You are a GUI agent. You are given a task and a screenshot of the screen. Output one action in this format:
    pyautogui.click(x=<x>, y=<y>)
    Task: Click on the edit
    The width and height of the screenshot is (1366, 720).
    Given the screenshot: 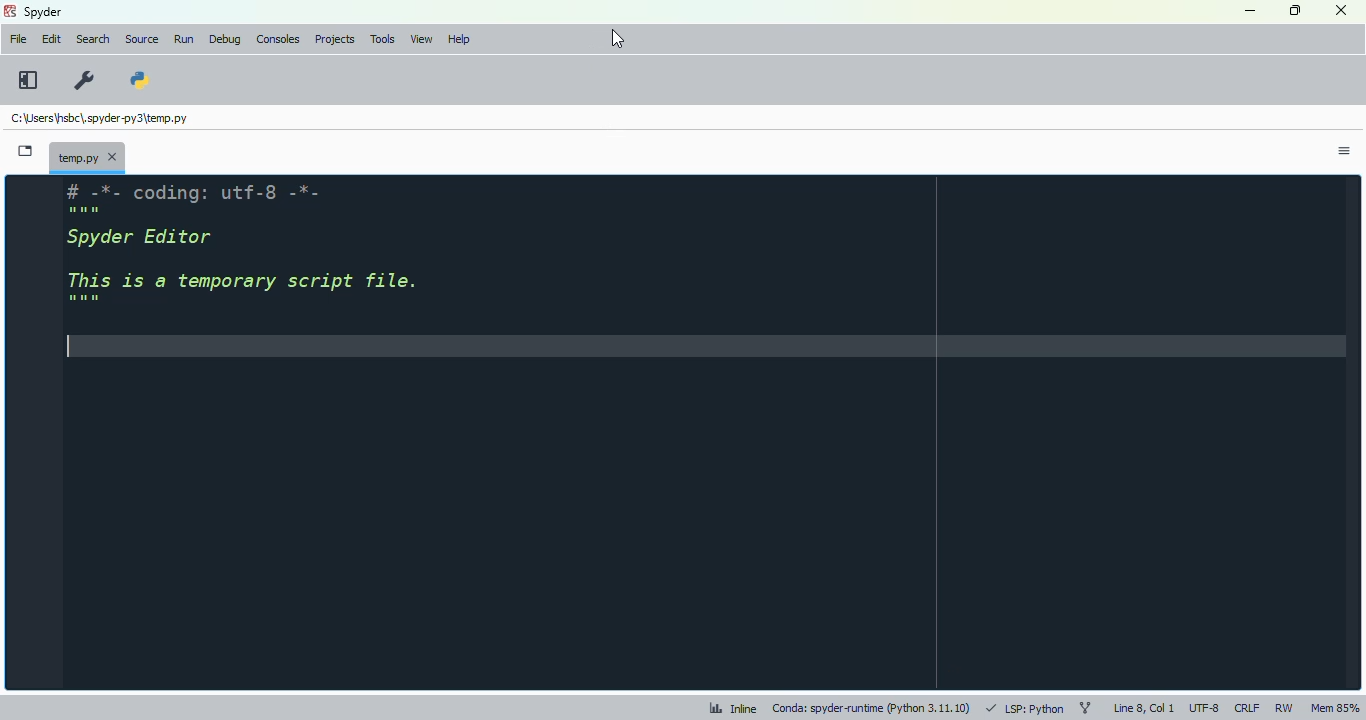 What is the action you would take?
    pyautogui.click(x=52, y=39)
    